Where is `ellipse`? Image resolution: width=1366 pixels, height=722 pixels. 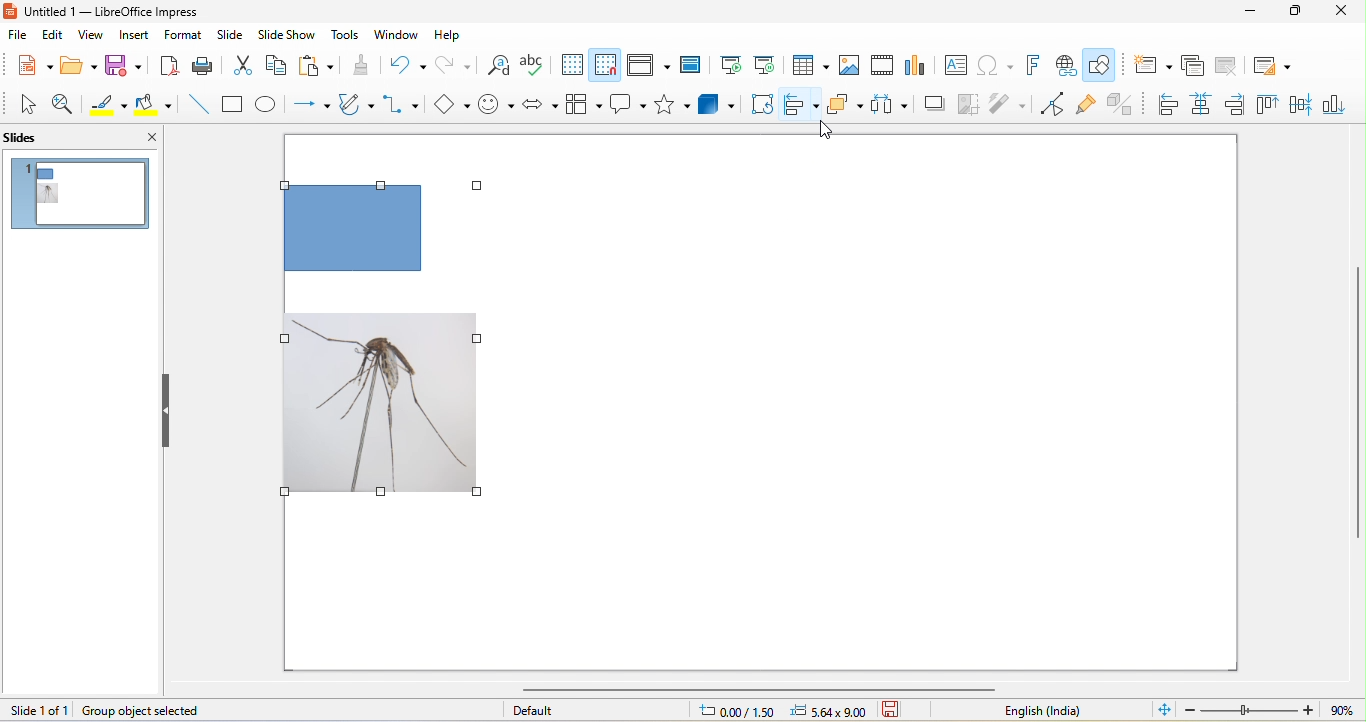 ellipse is located at coordinates (269, 106).